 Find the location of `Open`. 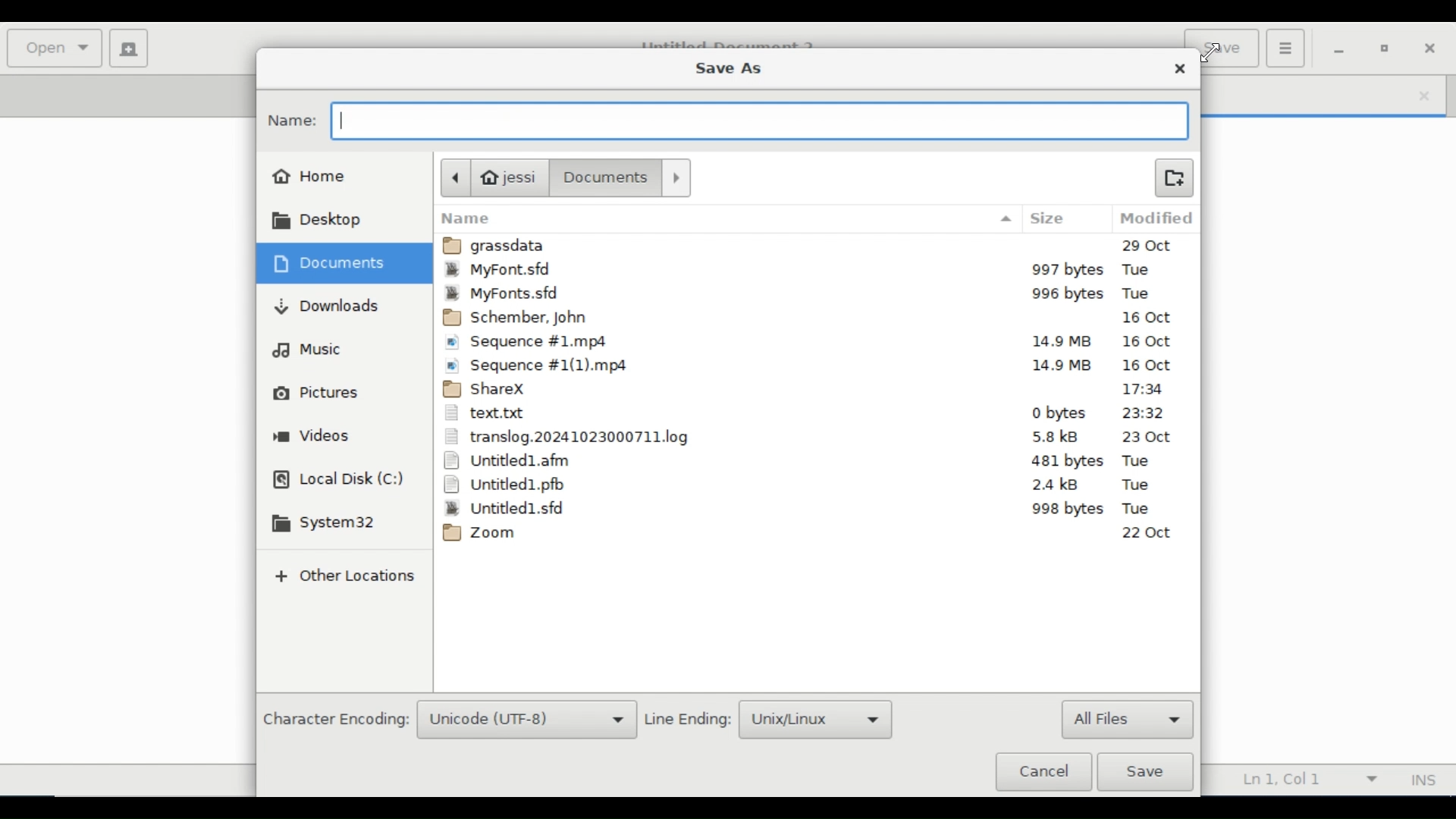

Open is located at coordinates (55, 49).